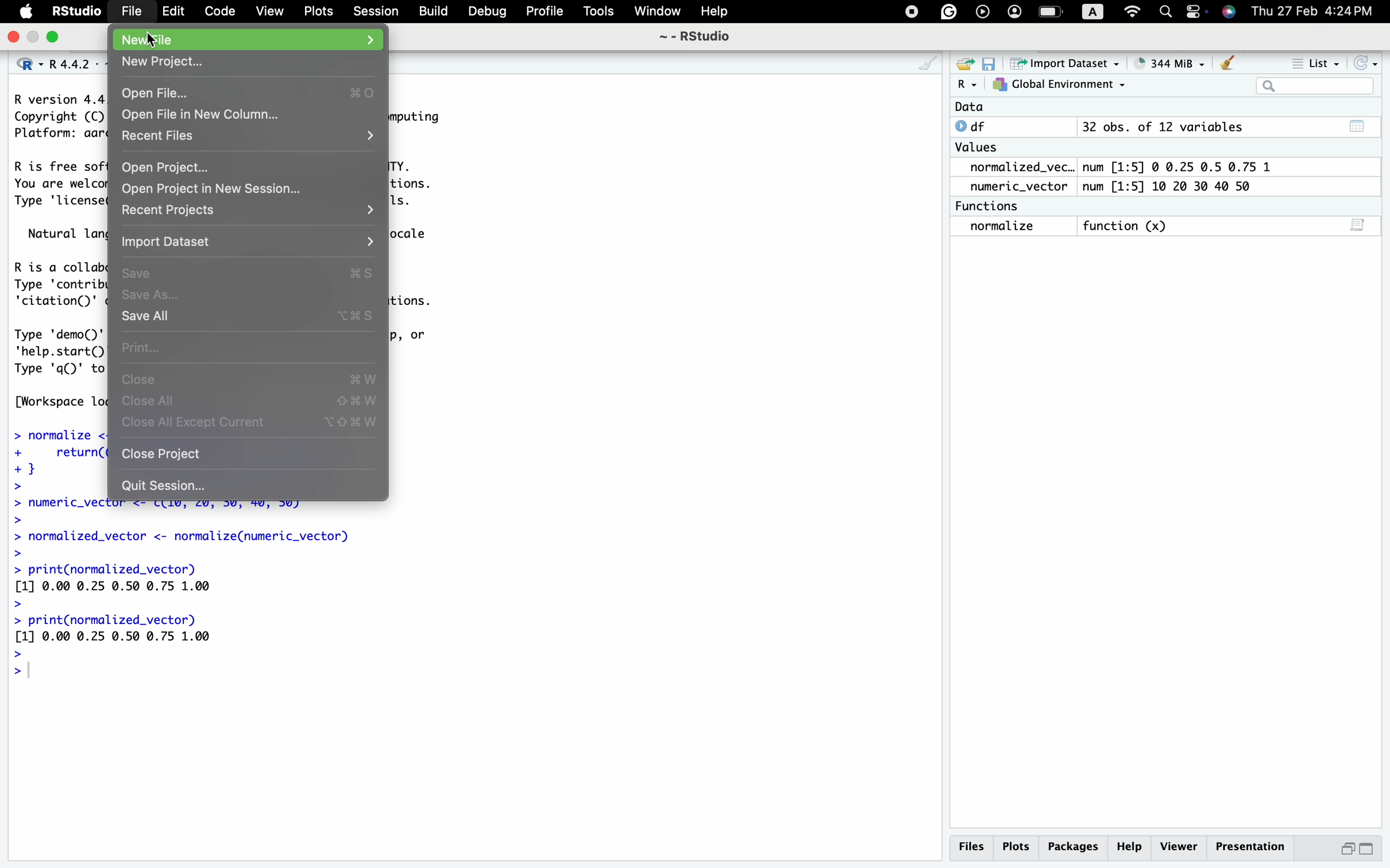  Describe the element at coordinates (543, 12) in the screenshot. I see `Profile` at that location.